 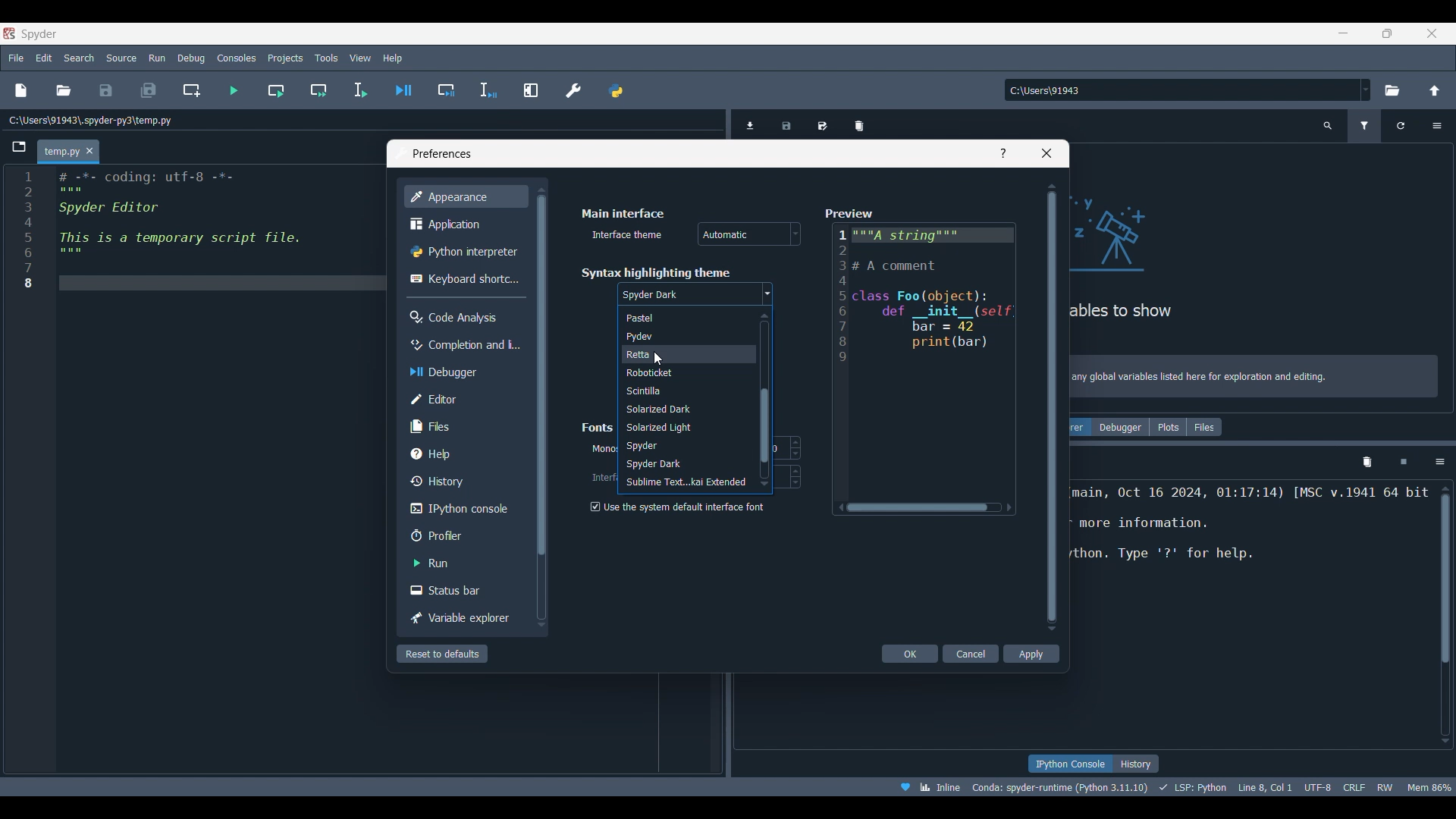 I want to click on Files, so click(x=465, y=425).